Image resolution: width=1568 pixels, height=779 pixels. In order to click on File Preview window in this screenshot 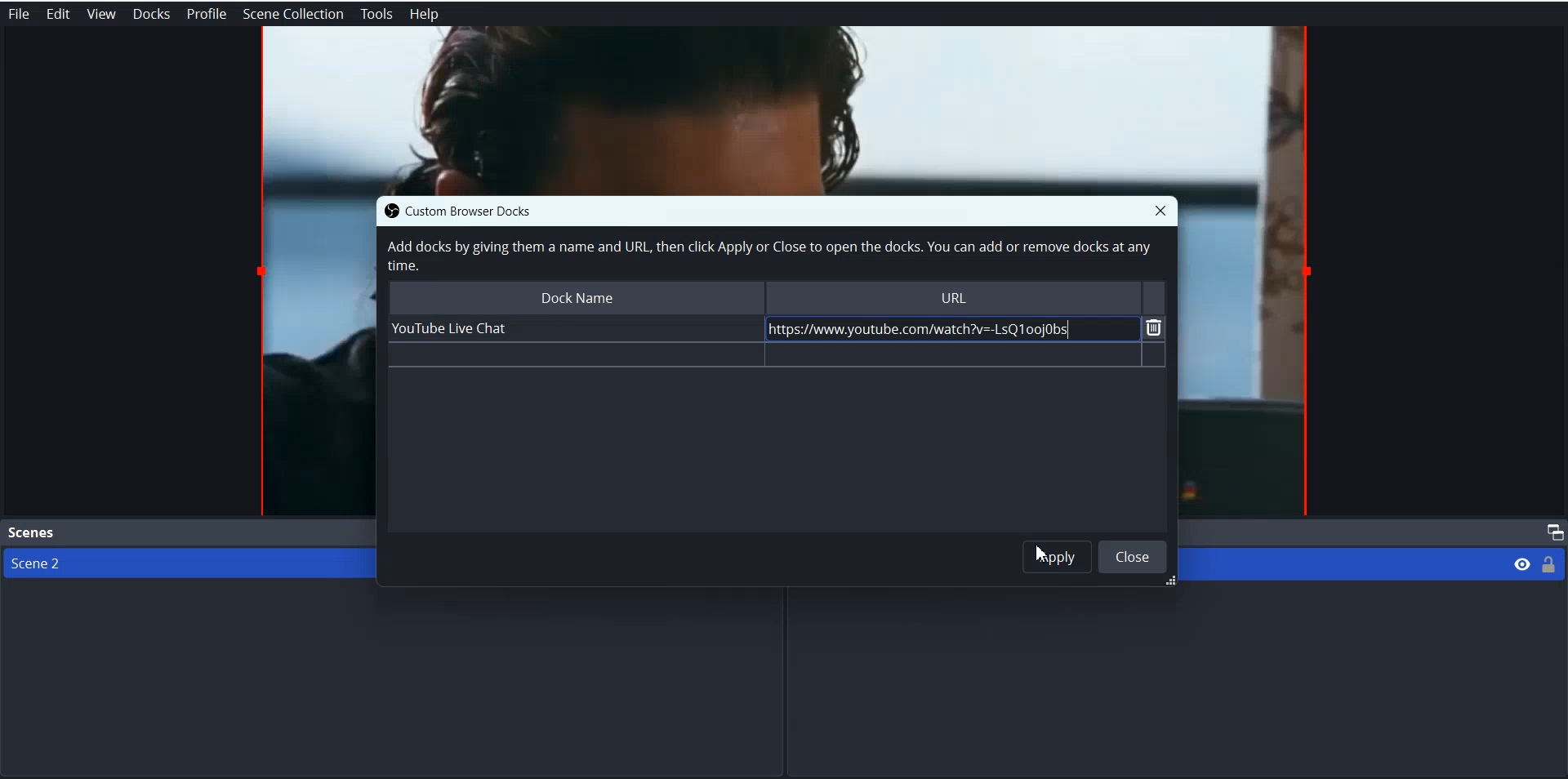, I will do `click(314, 355)`.